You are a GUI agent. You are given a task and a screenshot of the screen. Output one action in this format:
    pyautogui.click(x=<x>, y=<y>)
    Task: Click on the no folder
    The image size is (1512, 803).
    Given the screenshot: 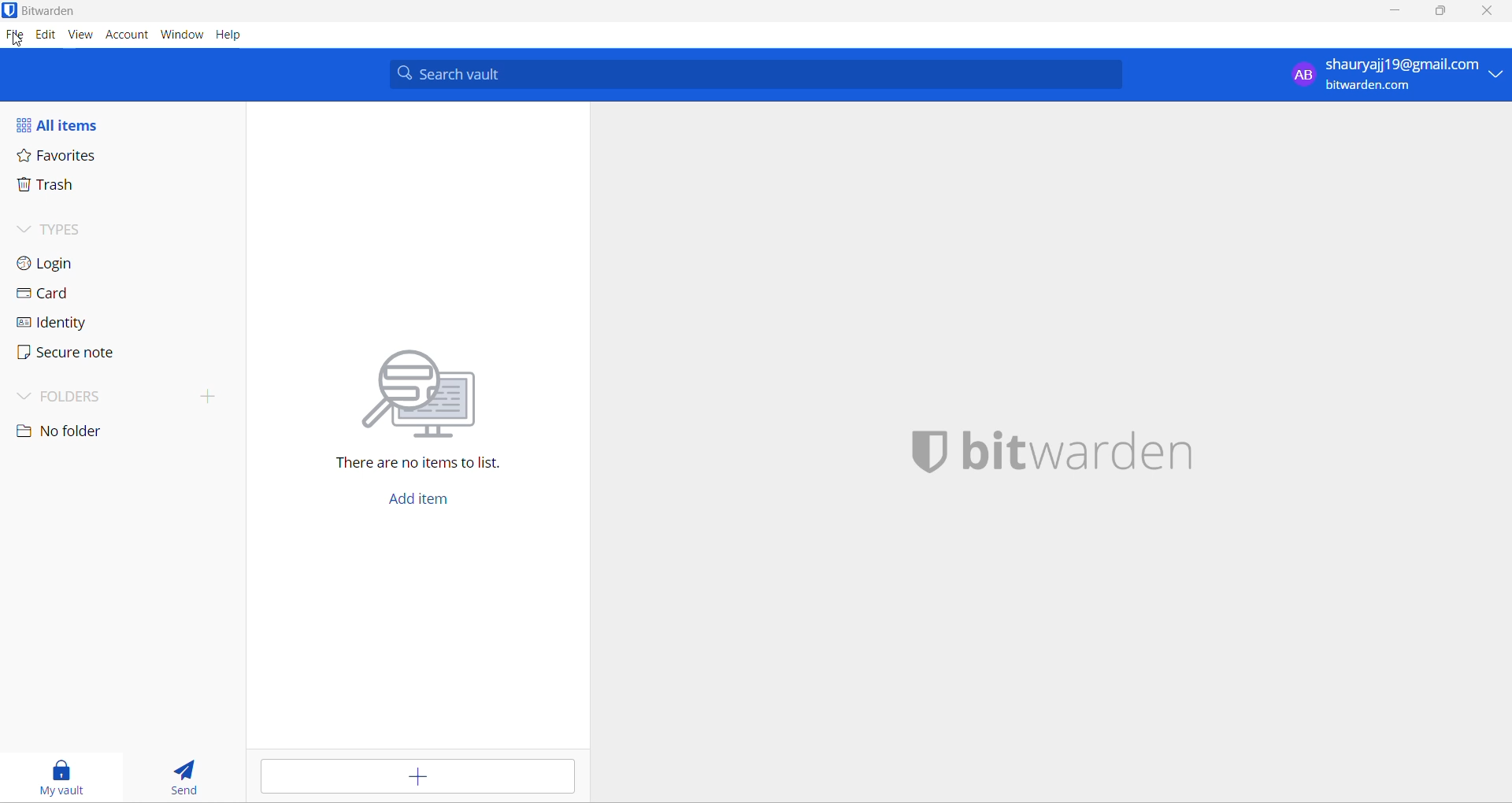 What is the action you would take?
    pyautogui.click(x=72, y=434)
    